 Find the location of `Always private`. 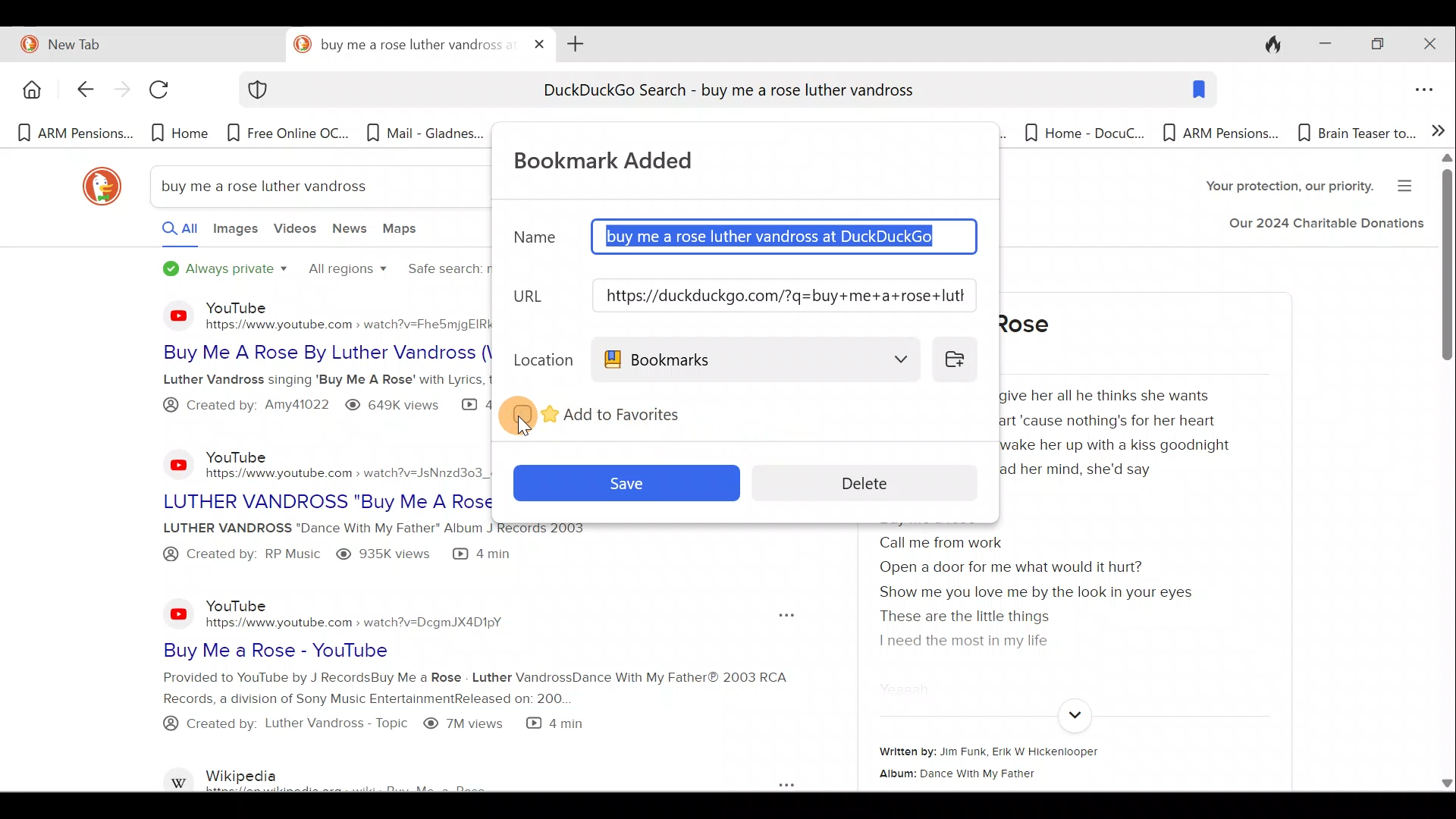

Always private is located at coordinates (226, 270).